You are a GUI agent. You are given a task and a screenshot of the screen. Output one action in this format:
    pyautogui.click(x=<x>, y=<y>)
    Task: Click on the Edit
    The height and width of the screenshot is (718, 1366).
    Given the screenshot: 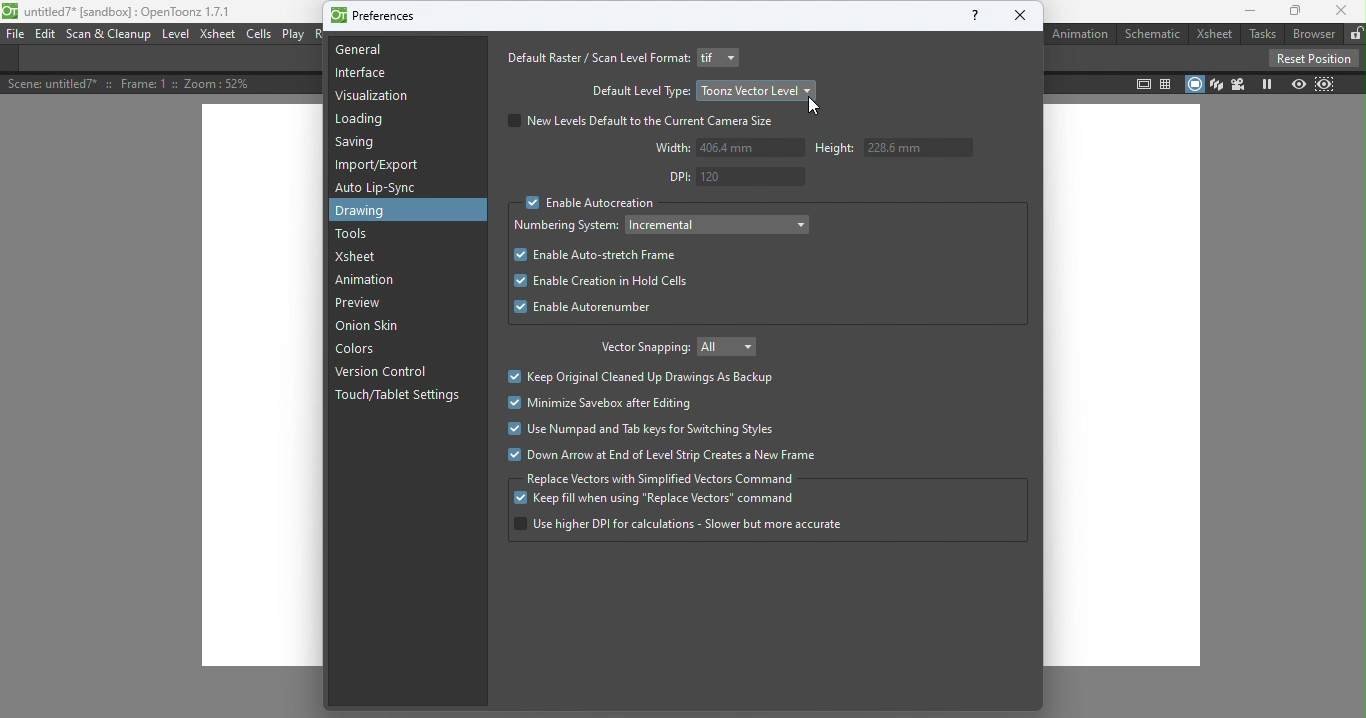 What is the action you would take?
    pyautogui.click(x=46, y=35)
    